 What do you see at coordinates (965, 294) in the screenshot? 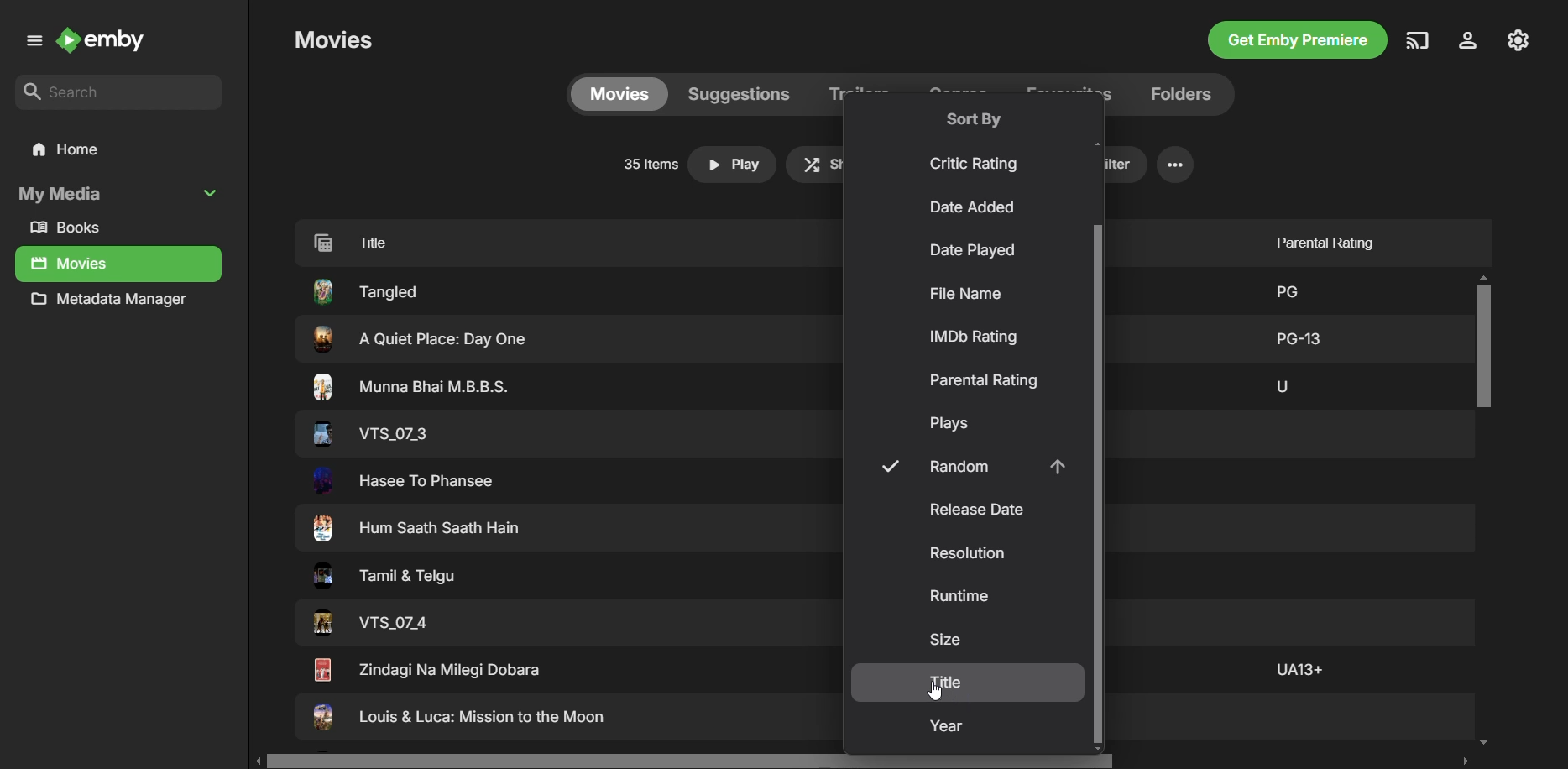
I see `File Name` at bounding box center [965, 294].